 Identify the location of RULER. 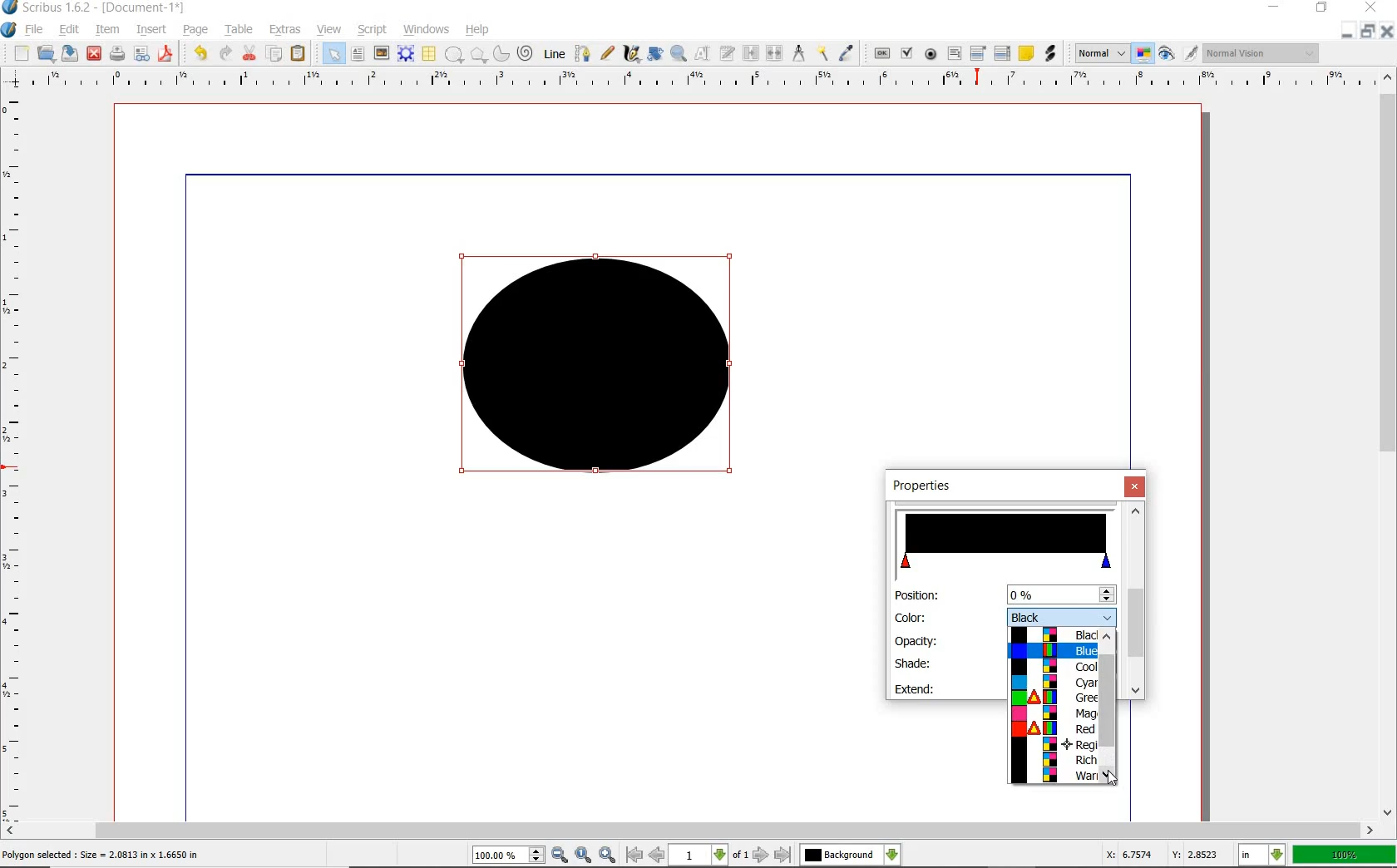
(14, 461).